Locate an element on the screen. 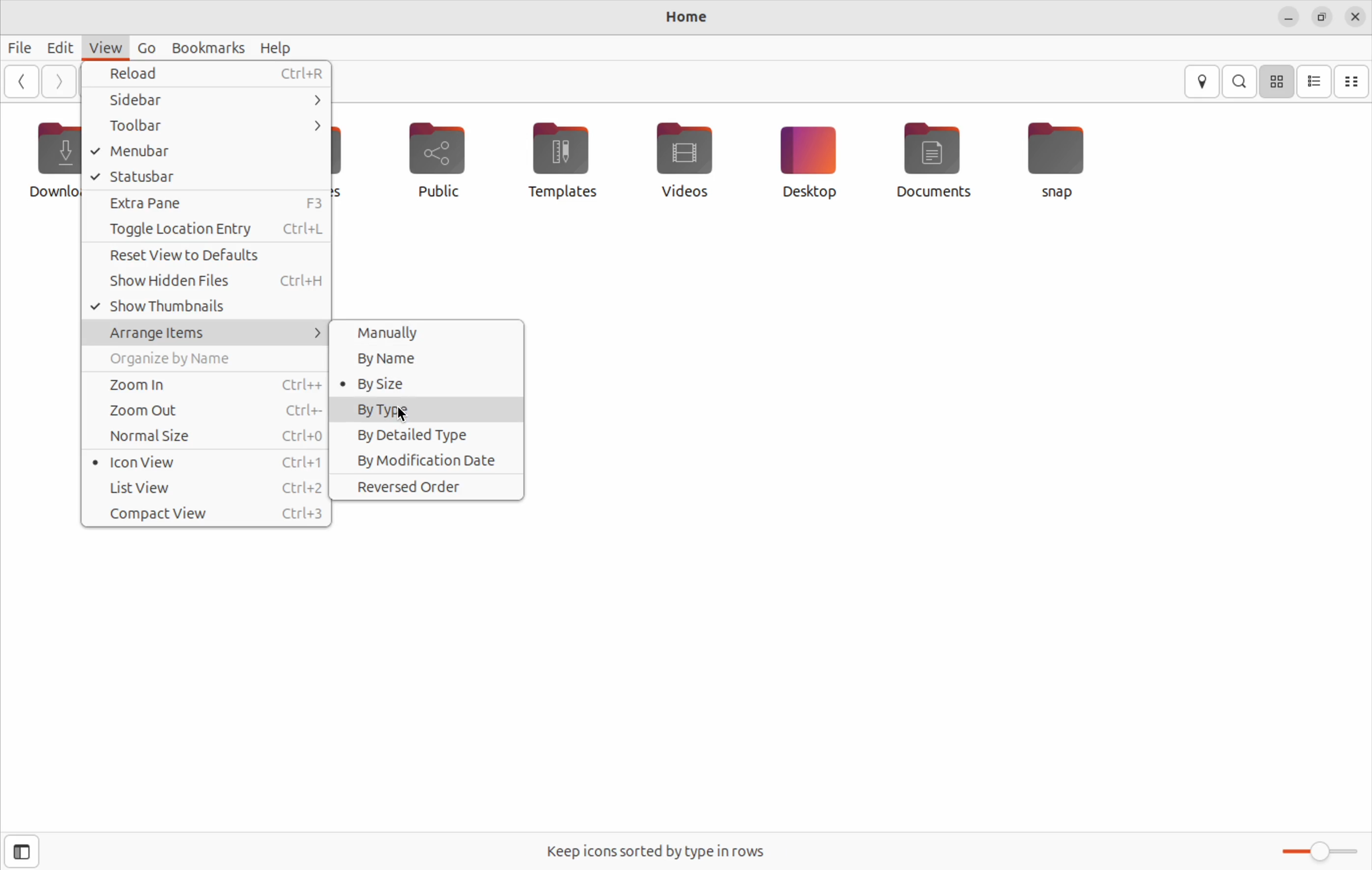 This screenshot has height=870, width=1372. show thumbnails is located at coordinates (202, 307).